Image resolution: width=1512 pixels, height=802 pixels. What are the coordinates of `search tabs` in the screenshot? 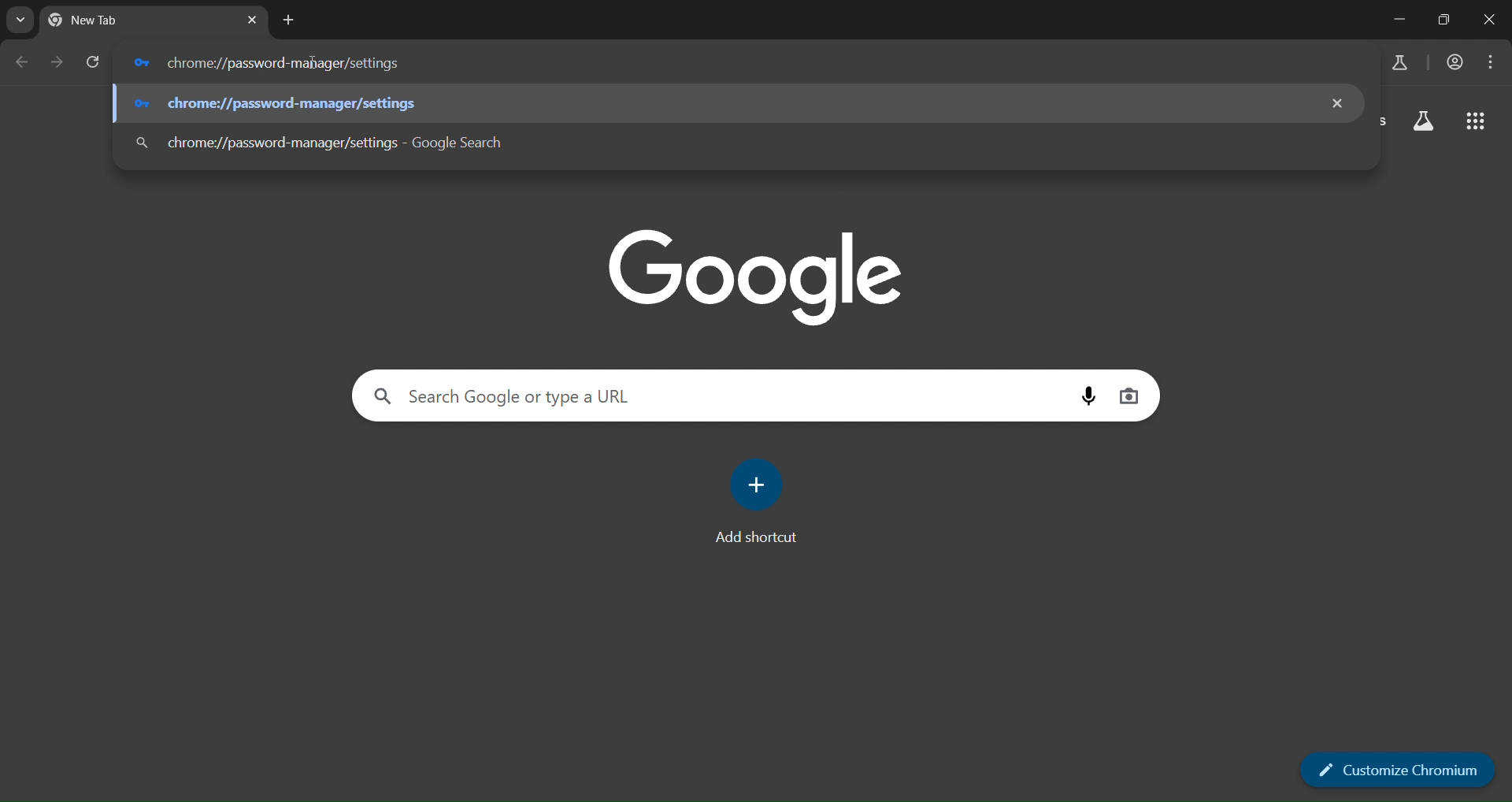 It's located at (20, 21).